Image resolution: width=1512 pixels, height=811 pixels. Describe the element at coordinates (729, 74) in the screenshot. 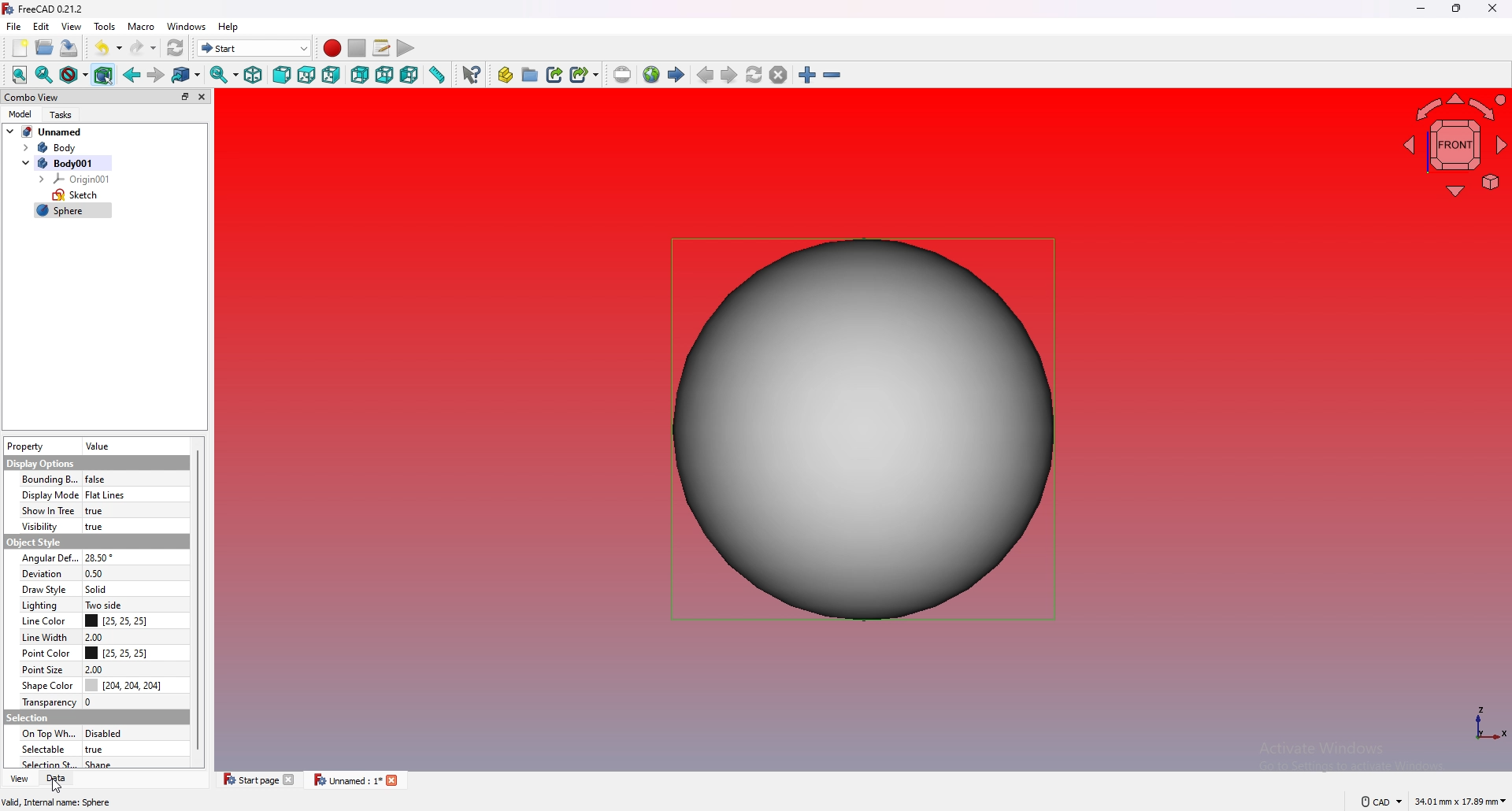

I see `next page` at that location.